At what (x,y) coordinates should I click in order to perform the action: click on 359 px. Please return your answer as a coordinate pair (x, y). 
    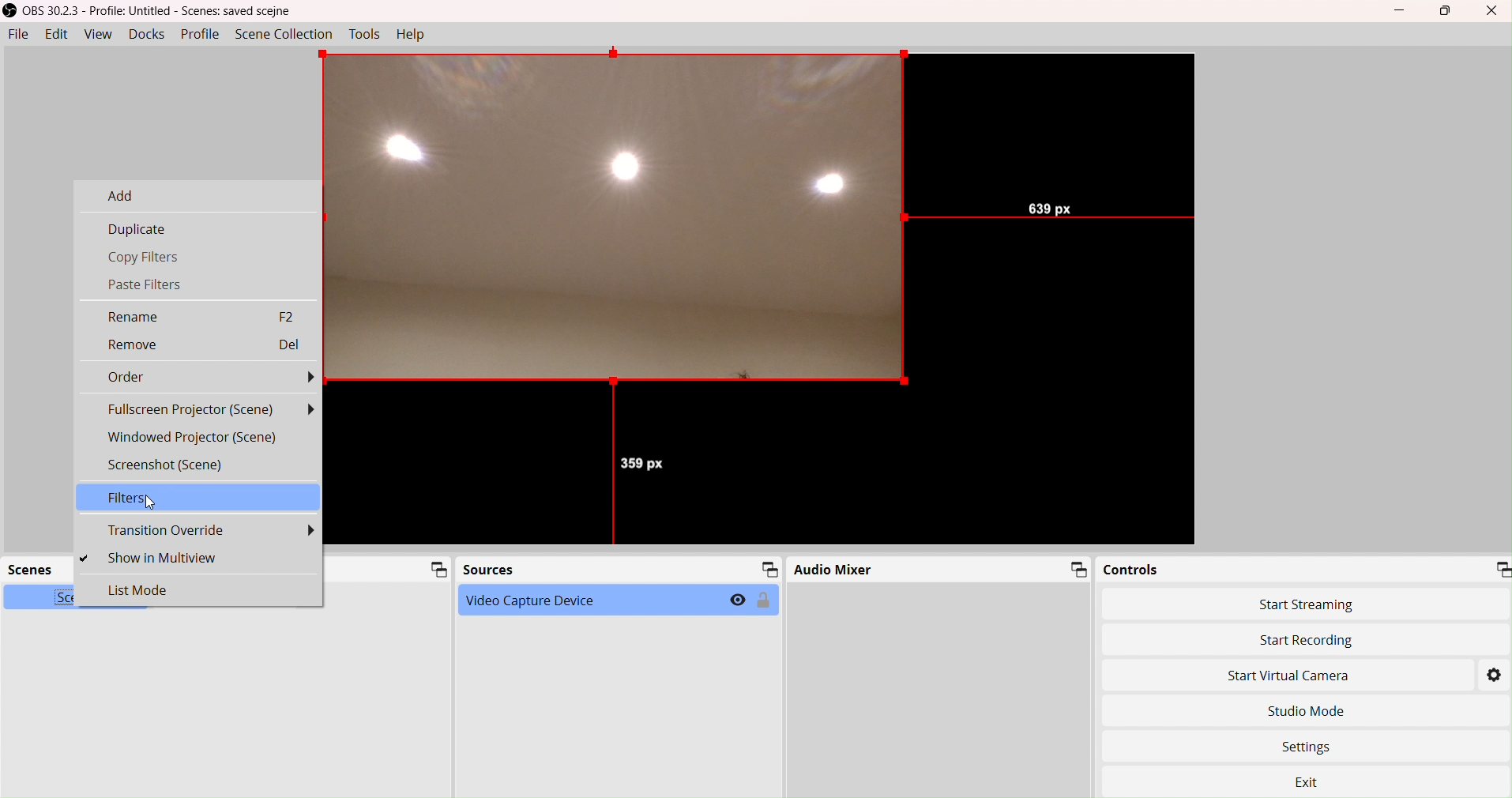
    Looking at the image, I should click on (648, 466).